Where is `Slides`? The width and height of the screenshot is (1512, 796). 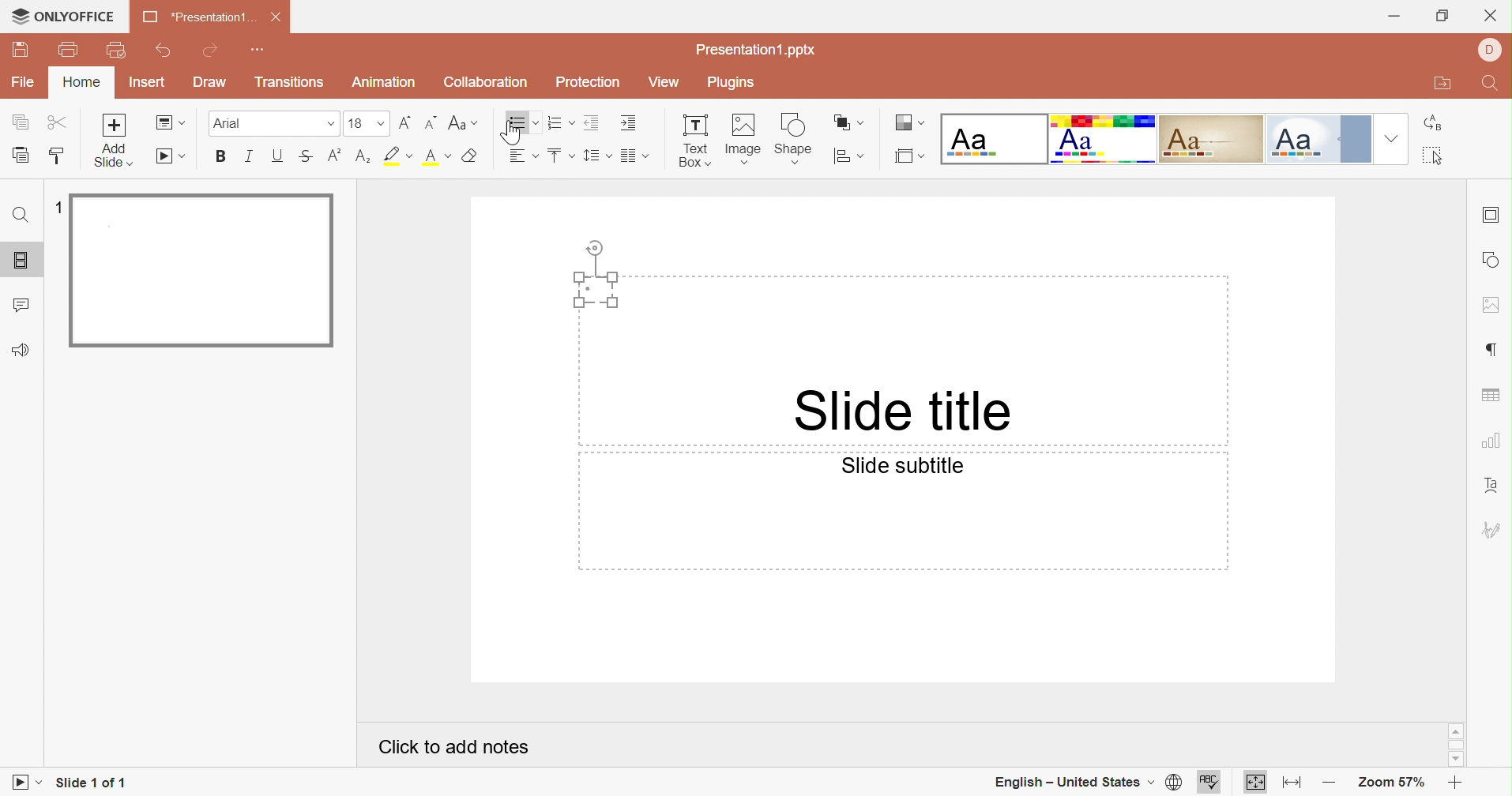 Slides is located at coordinates (23, 262).